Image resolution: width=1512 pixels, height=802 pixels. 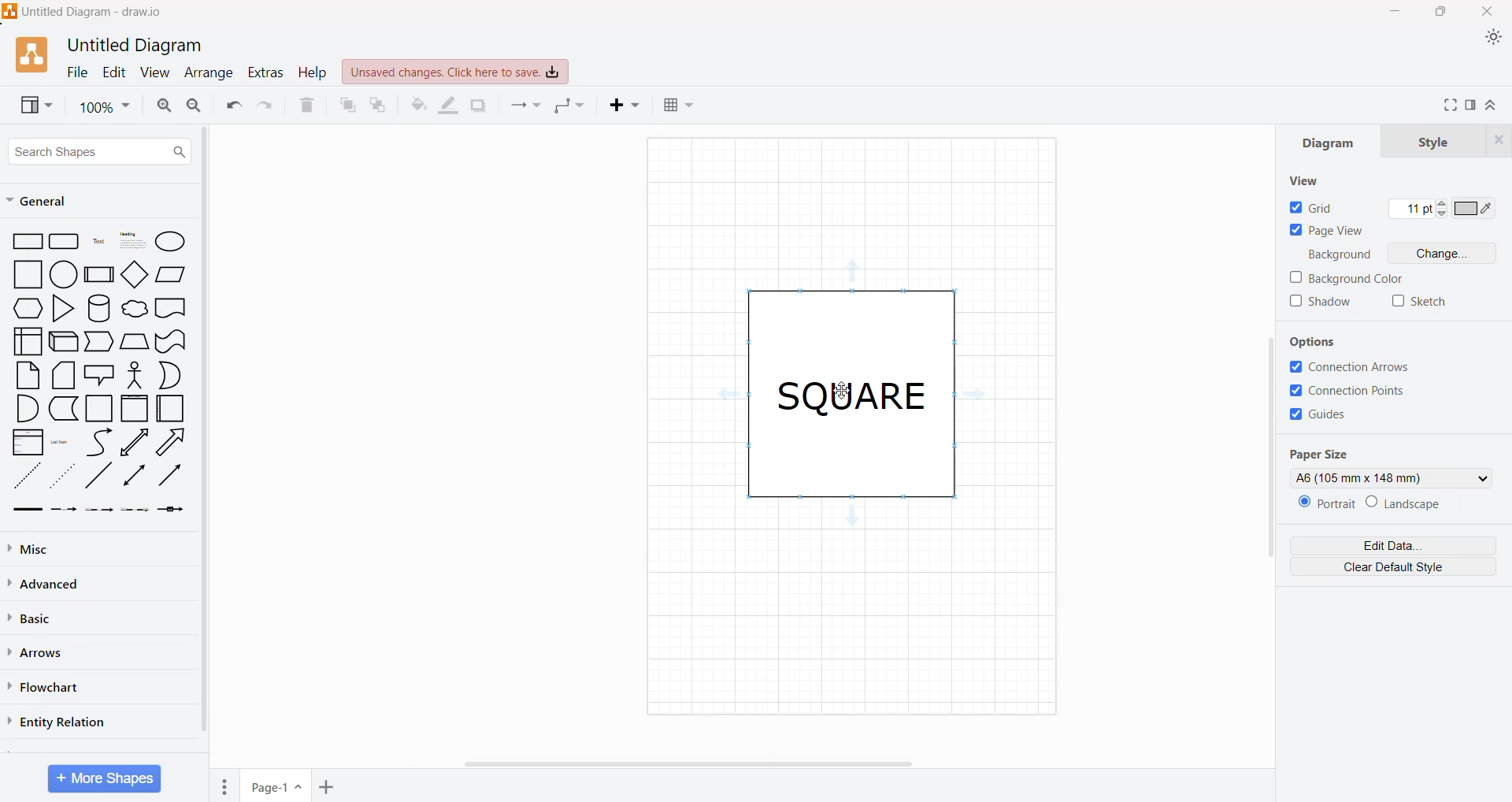 What do you see at coordinates (170, 509) in the screenshot?
I see `Arrow with a Box` at bounding box center [170, 509].